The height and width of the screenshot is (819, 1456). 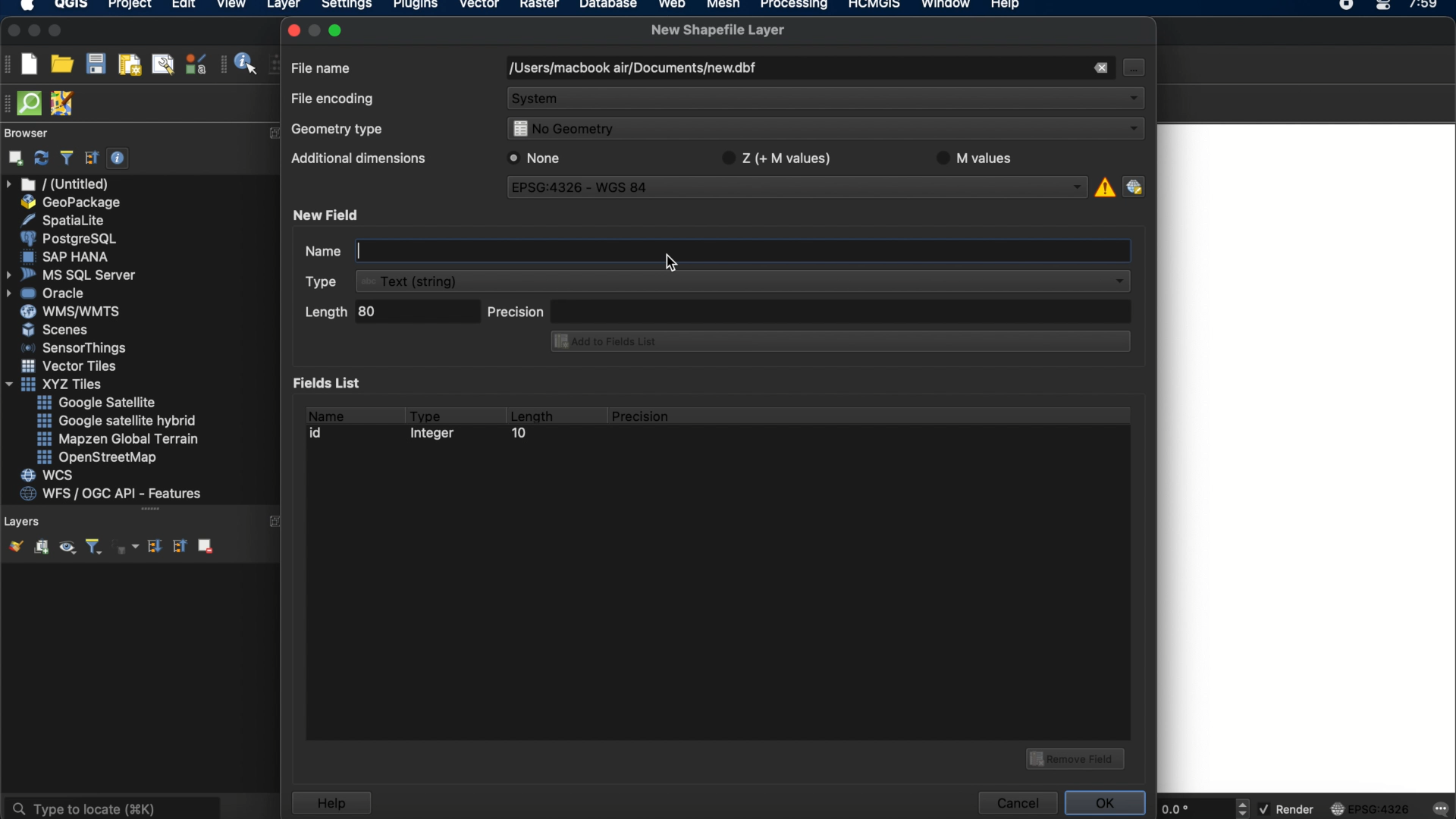 What do you see at coordinates (389, 314) in the screenshot?
I see `length 80` at bounding box center [389, 314].